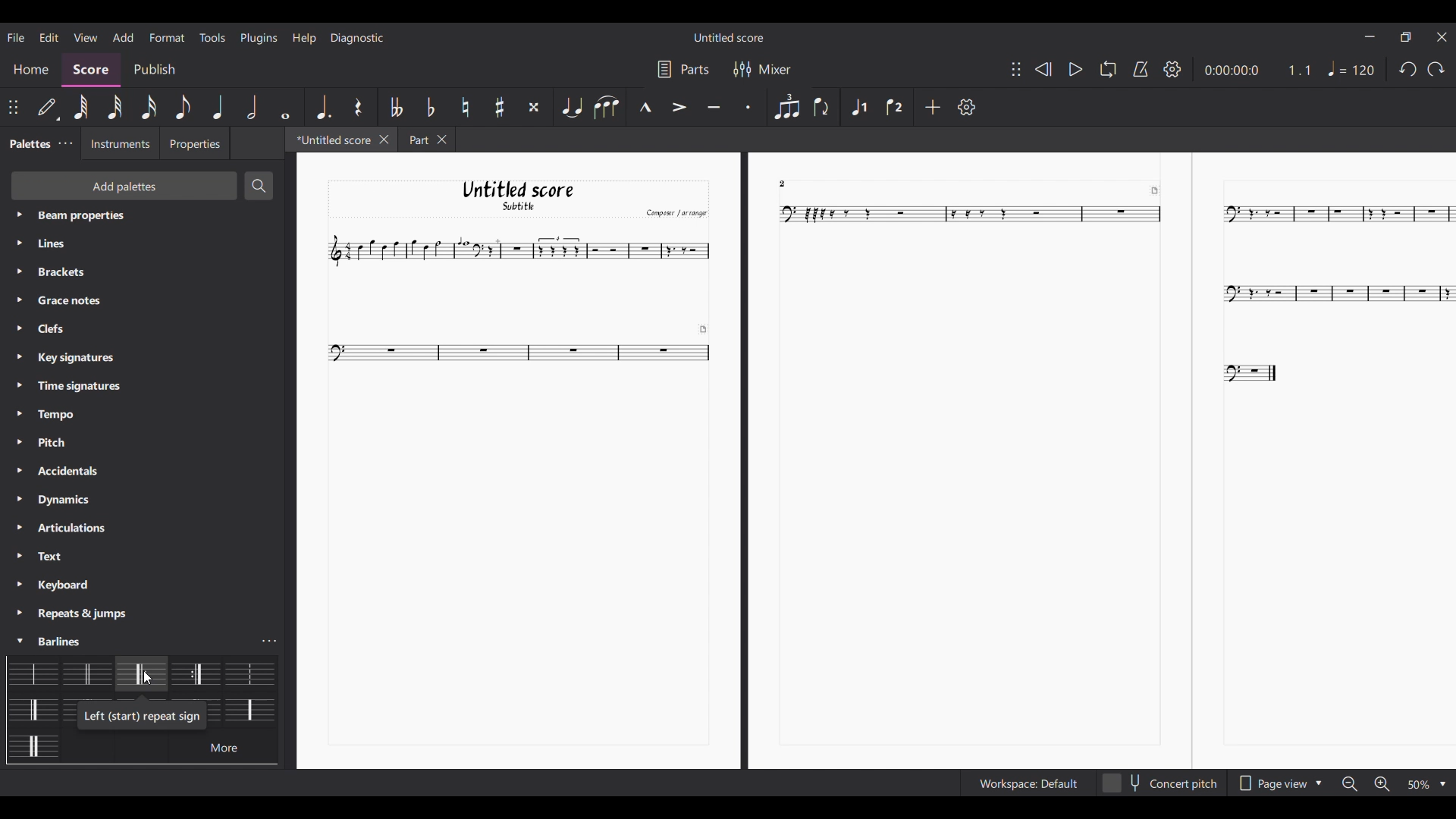 This screenshot has height=819, width=1456. Describe the element at coordinates (859, 106) in the screenshot. I see `Voice 1` at that location.